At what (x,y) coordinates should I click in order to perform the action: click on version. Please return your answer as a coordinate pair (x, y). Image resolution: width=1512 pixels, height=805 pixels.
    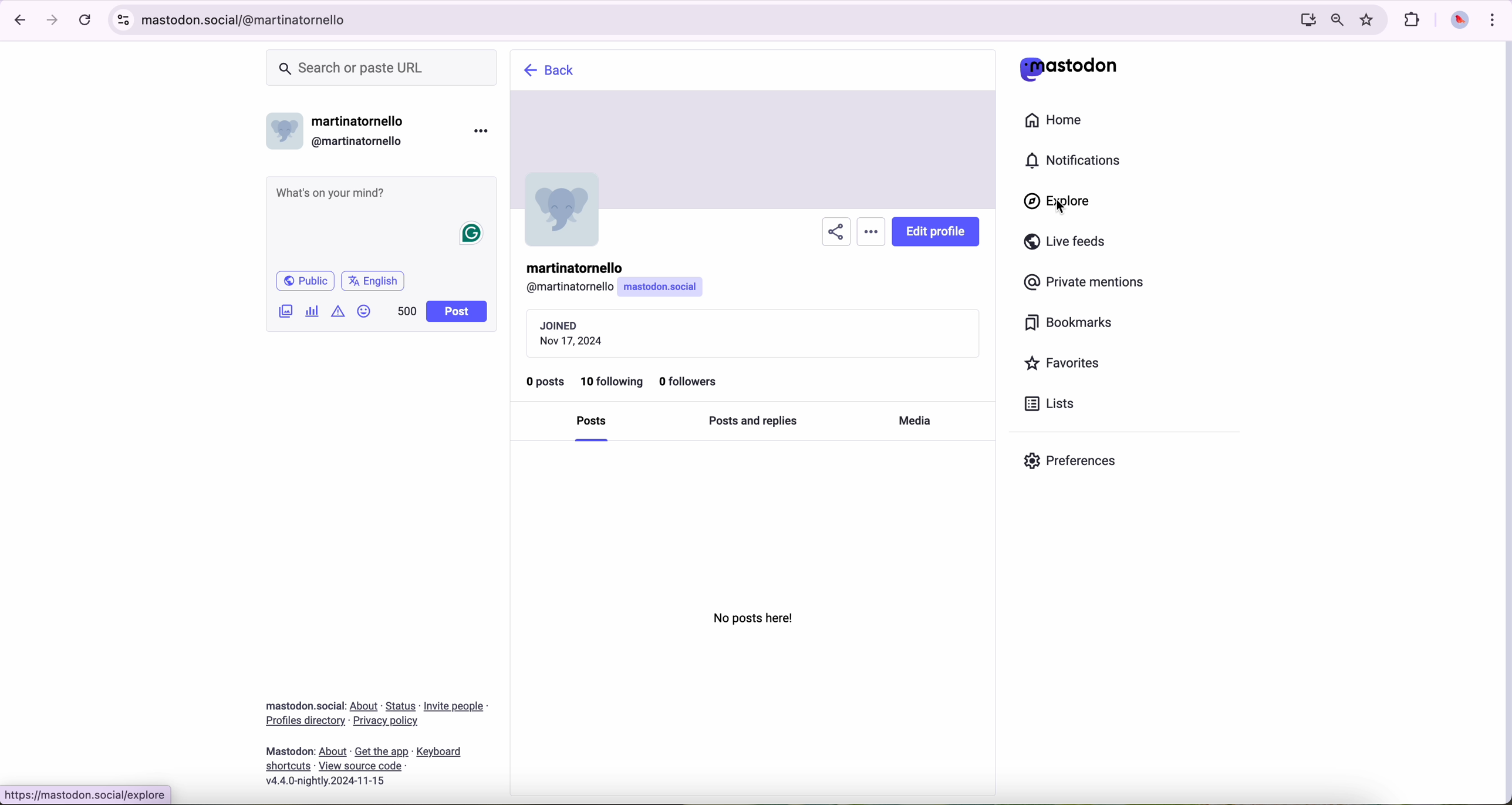
    Looking at the image, I should click on (325, 782).